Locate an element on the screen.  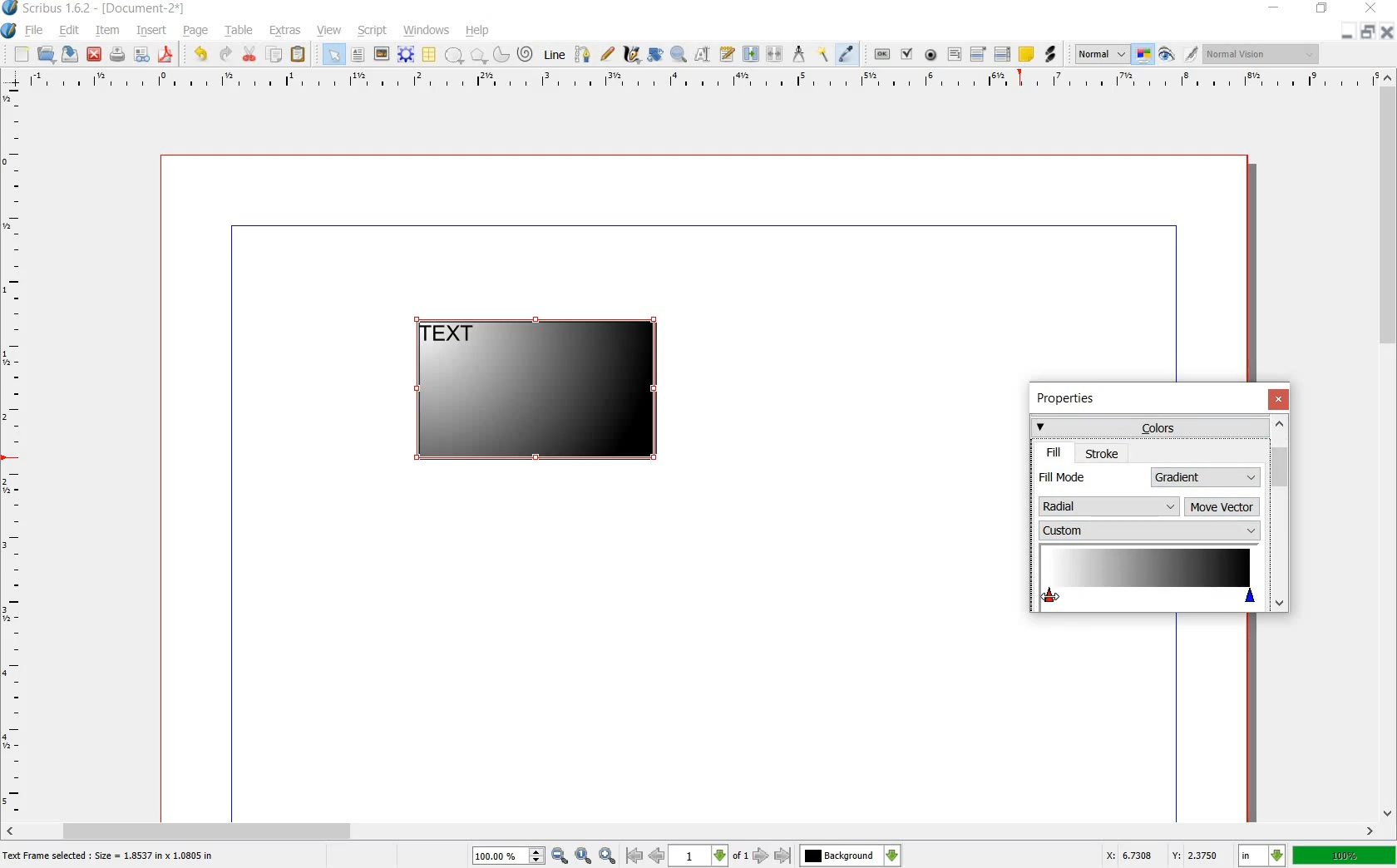
windows is located at coordinates (426, 31).